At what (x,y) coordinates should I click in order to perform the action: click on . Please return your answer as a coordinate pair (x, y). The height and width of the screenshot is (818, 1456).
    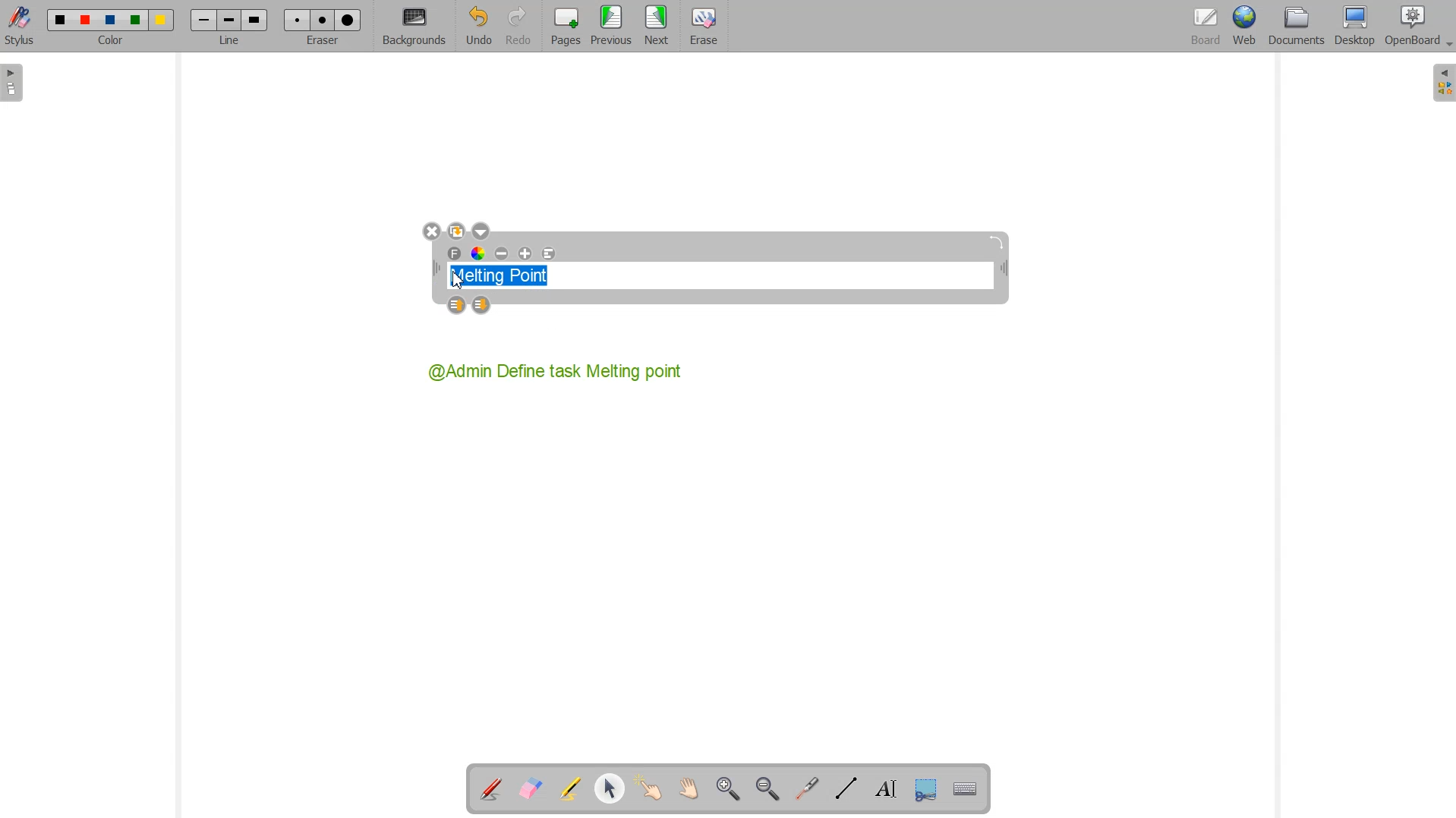
    Looking at the image, I should click on (611, 27).